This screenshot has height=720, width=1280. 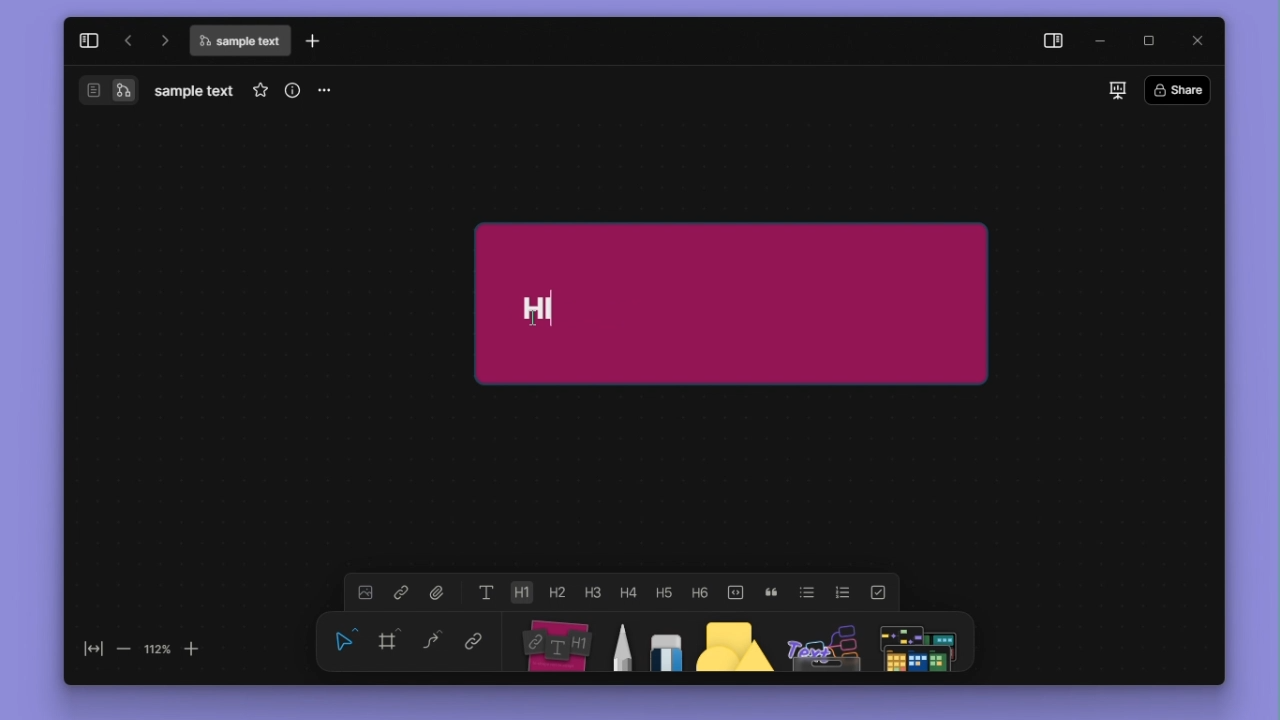 I want to click on view info, so click(x=293, y=90).